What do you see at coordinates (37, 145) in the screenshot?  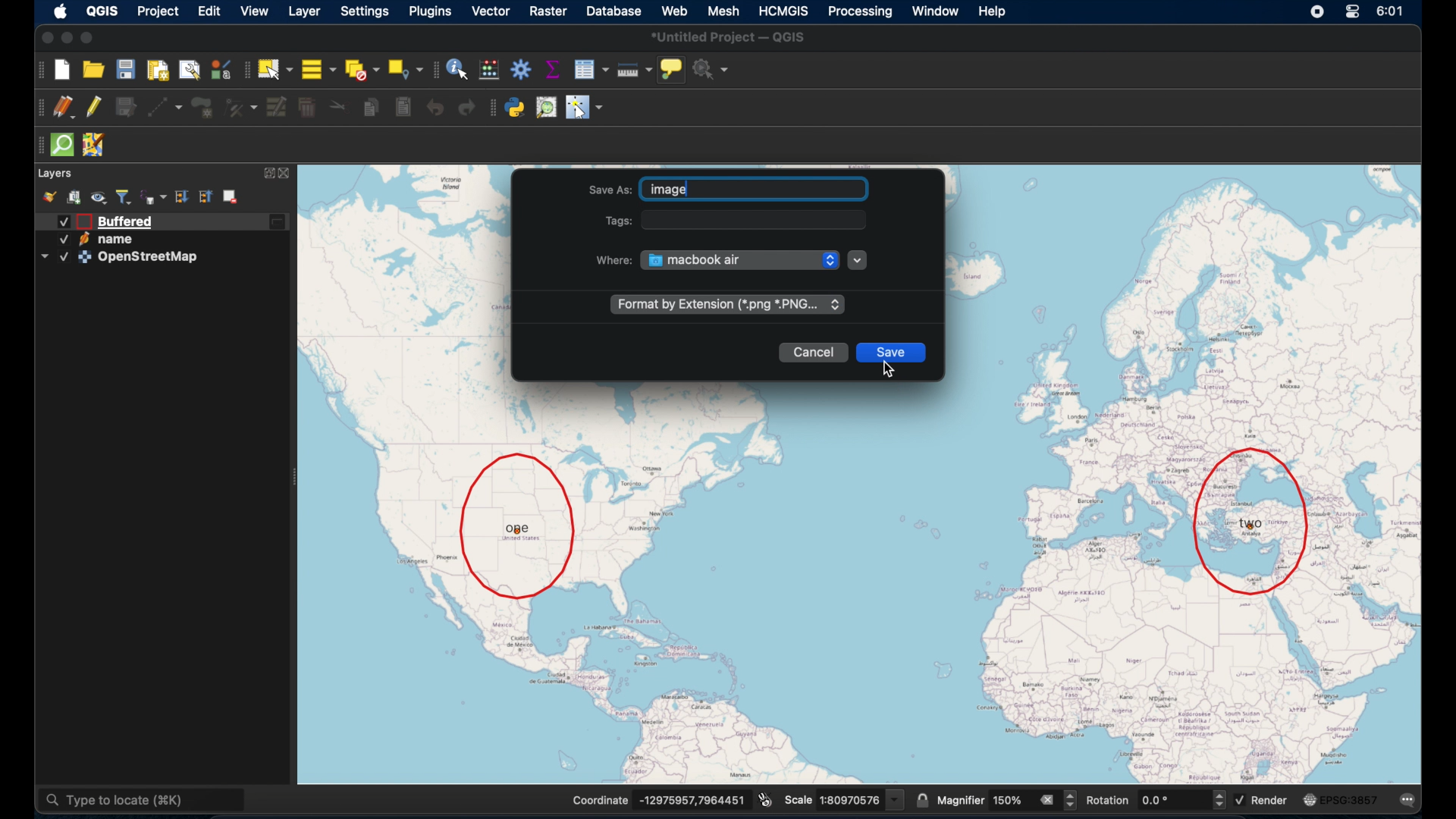 I see `drag handle` at bounding box center [37, 145].